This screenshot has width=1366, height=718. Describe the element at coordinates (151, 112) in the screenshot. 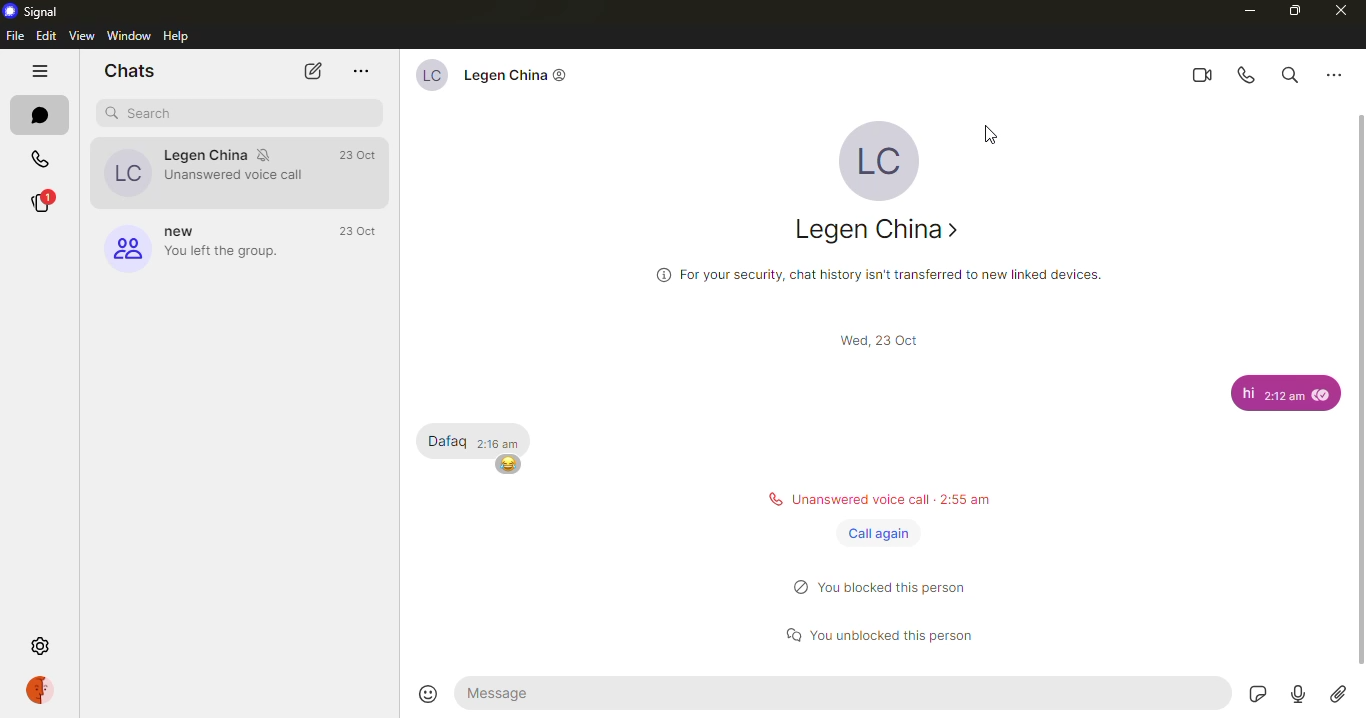

I see `search` at that location.